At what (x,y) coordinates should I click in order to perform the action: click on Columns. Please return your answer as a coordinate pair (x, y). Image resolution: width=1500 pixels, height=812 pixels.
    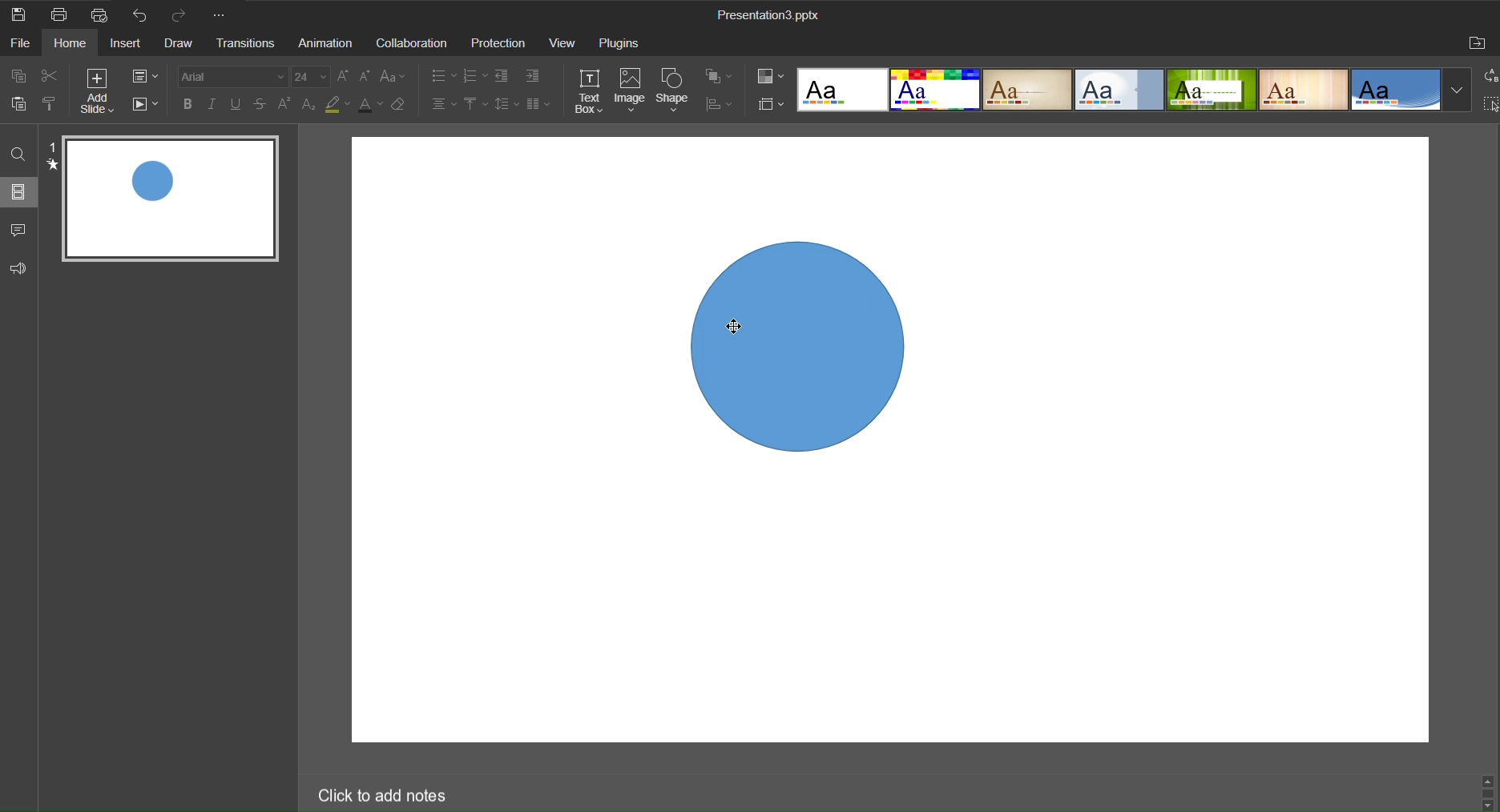
    Looking at the image, I should click on (542, 105).